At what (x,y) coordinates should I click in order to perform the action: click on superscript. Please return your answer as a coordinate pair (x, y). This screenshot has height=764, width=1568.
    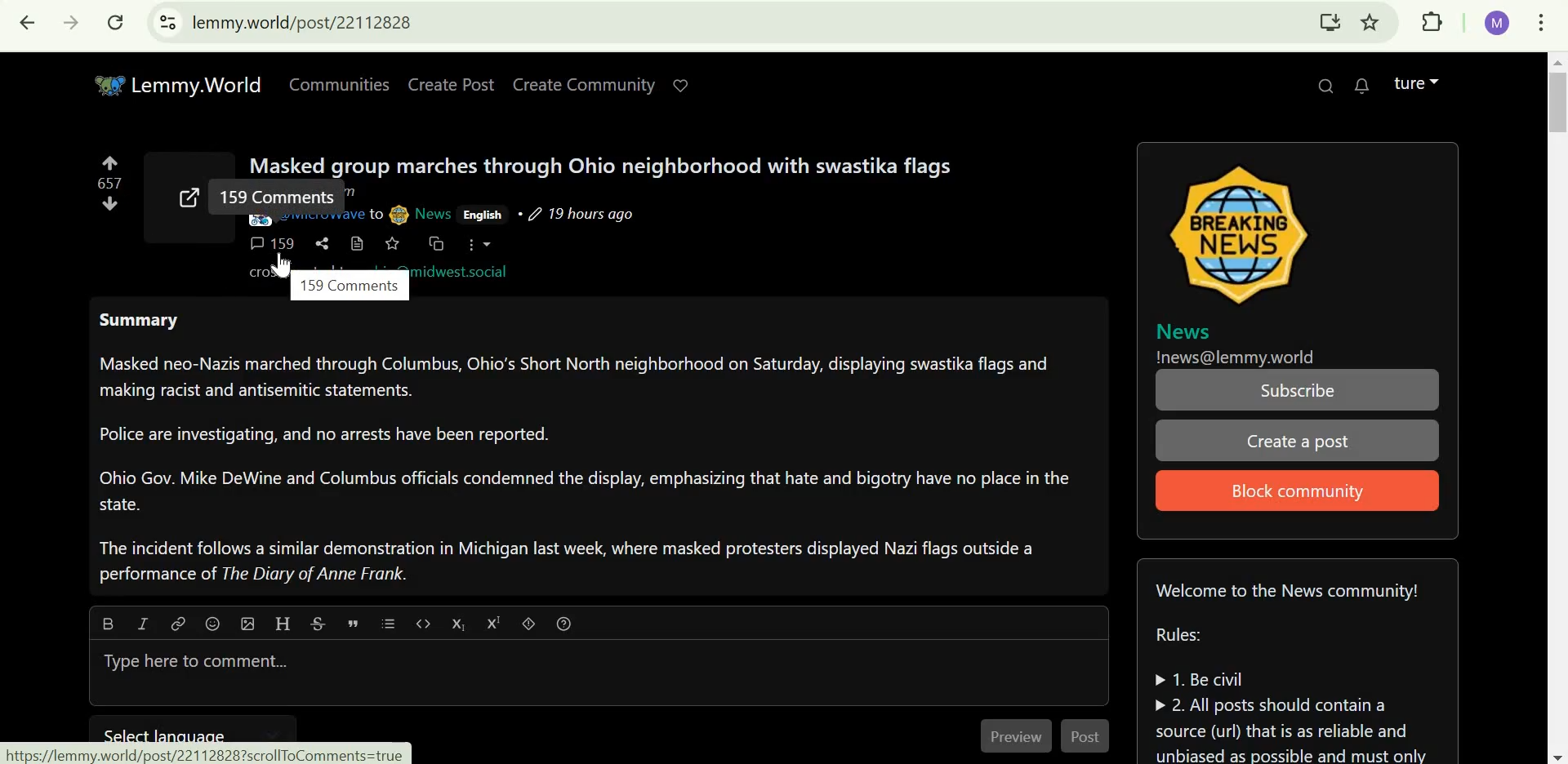
    Looking at the image, I should click on (492, 623).